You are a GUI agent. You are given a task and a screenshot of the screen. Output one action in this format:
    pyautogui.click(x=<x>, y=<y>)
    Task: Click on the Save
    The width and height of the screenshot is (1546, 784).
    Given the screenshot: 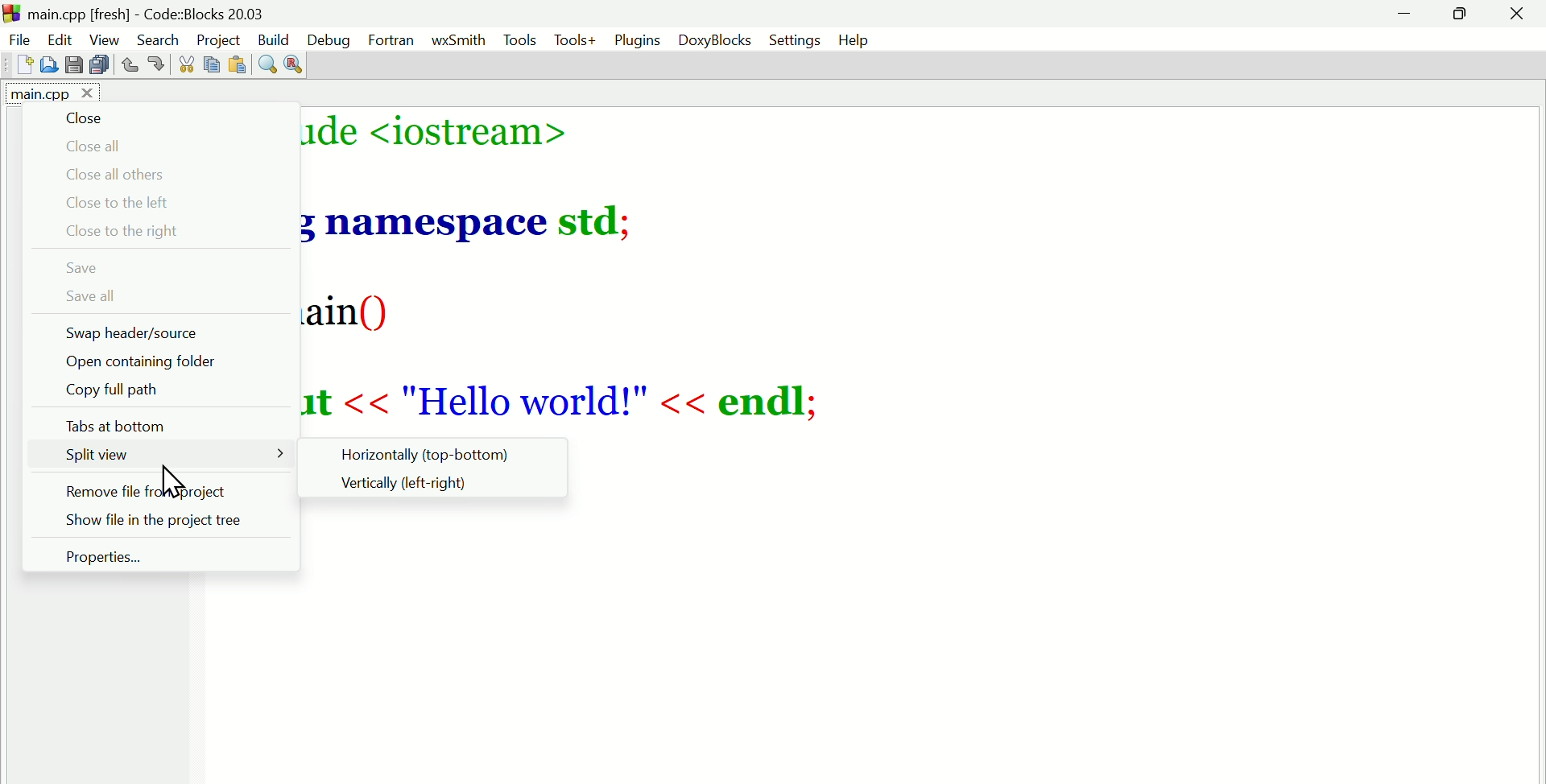 What is the action you would take?
    pyautogui.click(x=72, y=65)
    